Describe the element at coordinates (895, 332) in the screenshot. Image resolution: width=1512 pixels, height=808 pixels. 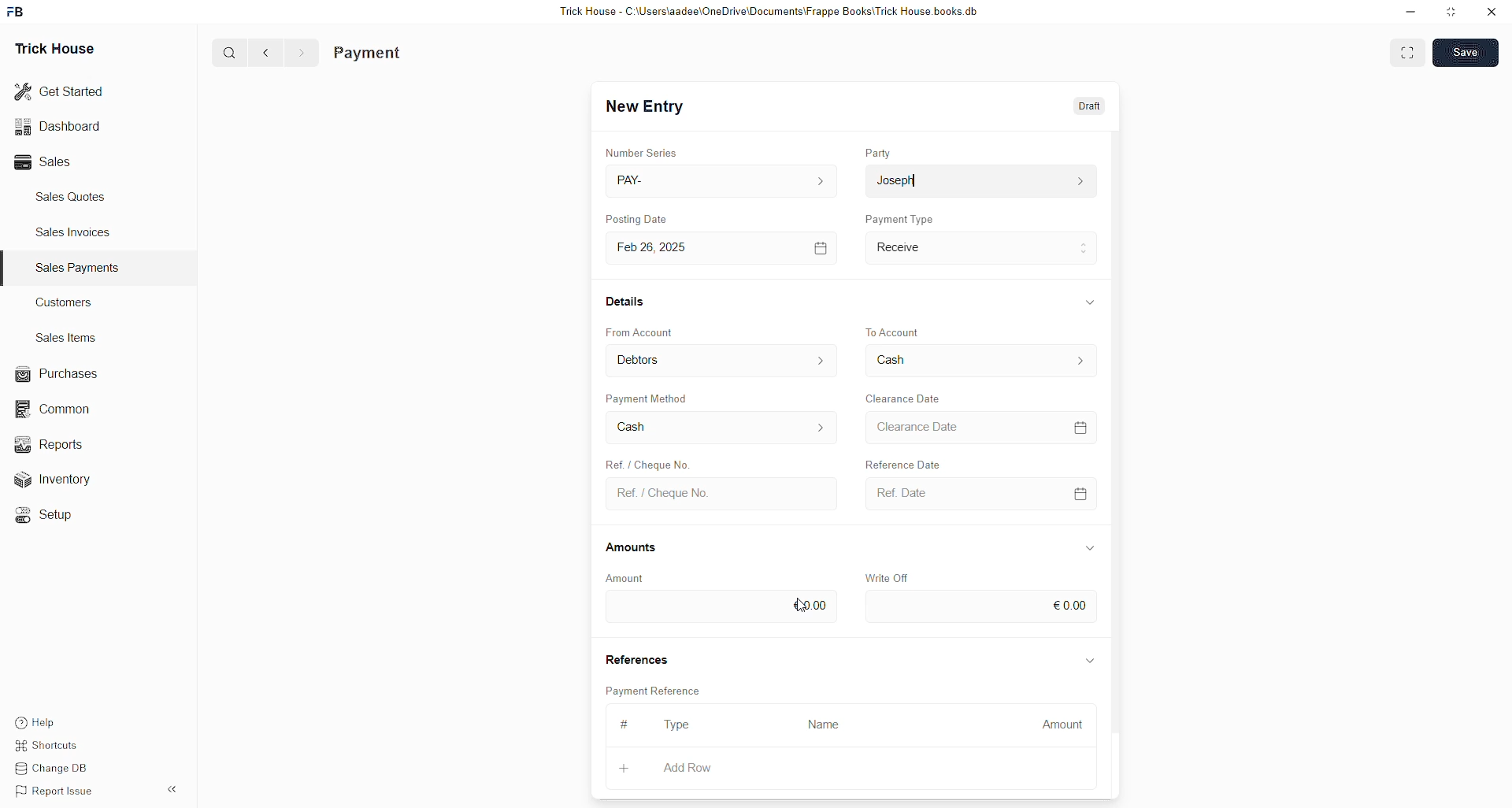
I see `To Account` at that location.